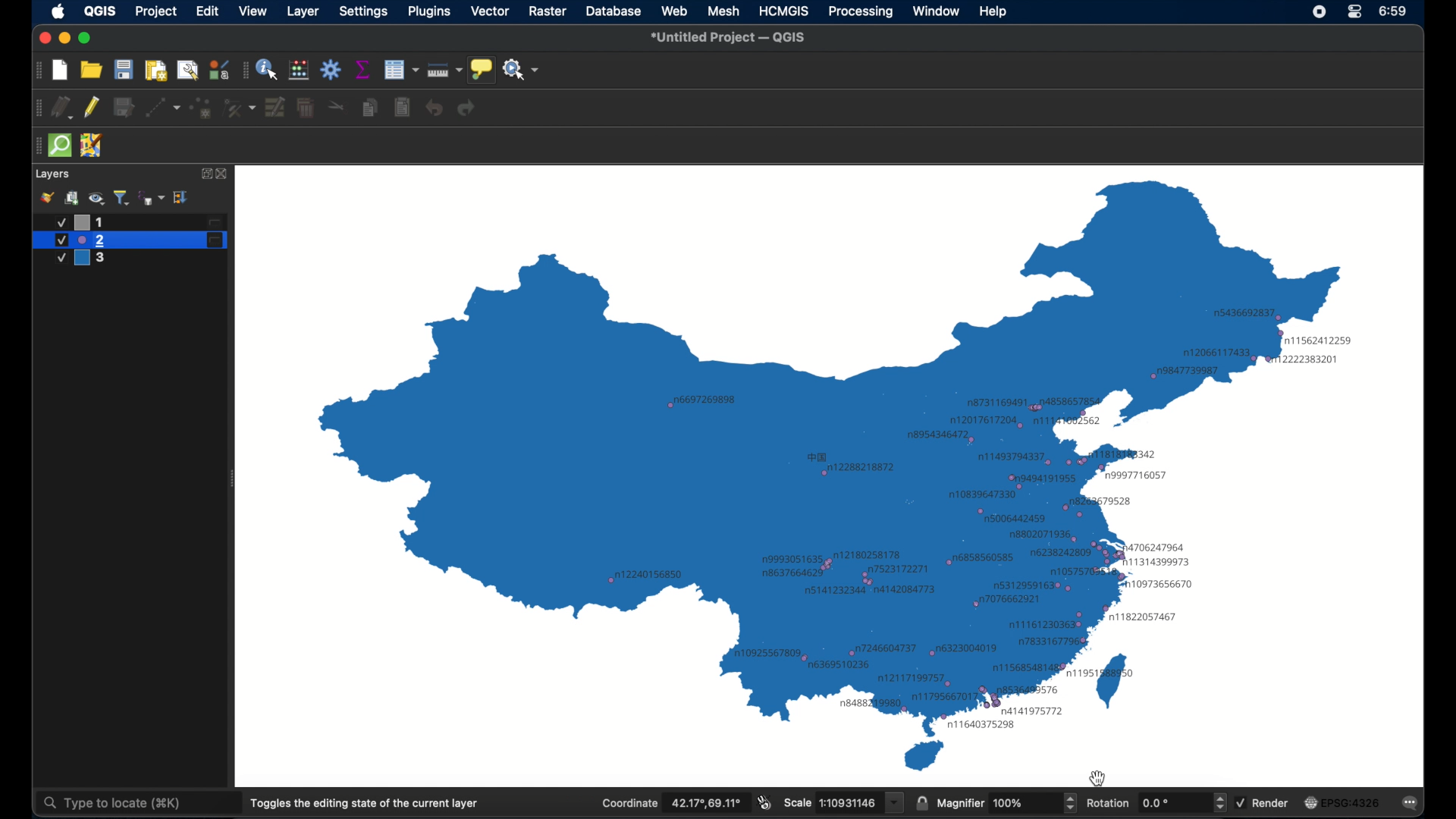 The image size is (1456, 819). What do you see at coordinates (331, 69) in the screenshot?
I see `toolbox` at bounding box center [331, 69].